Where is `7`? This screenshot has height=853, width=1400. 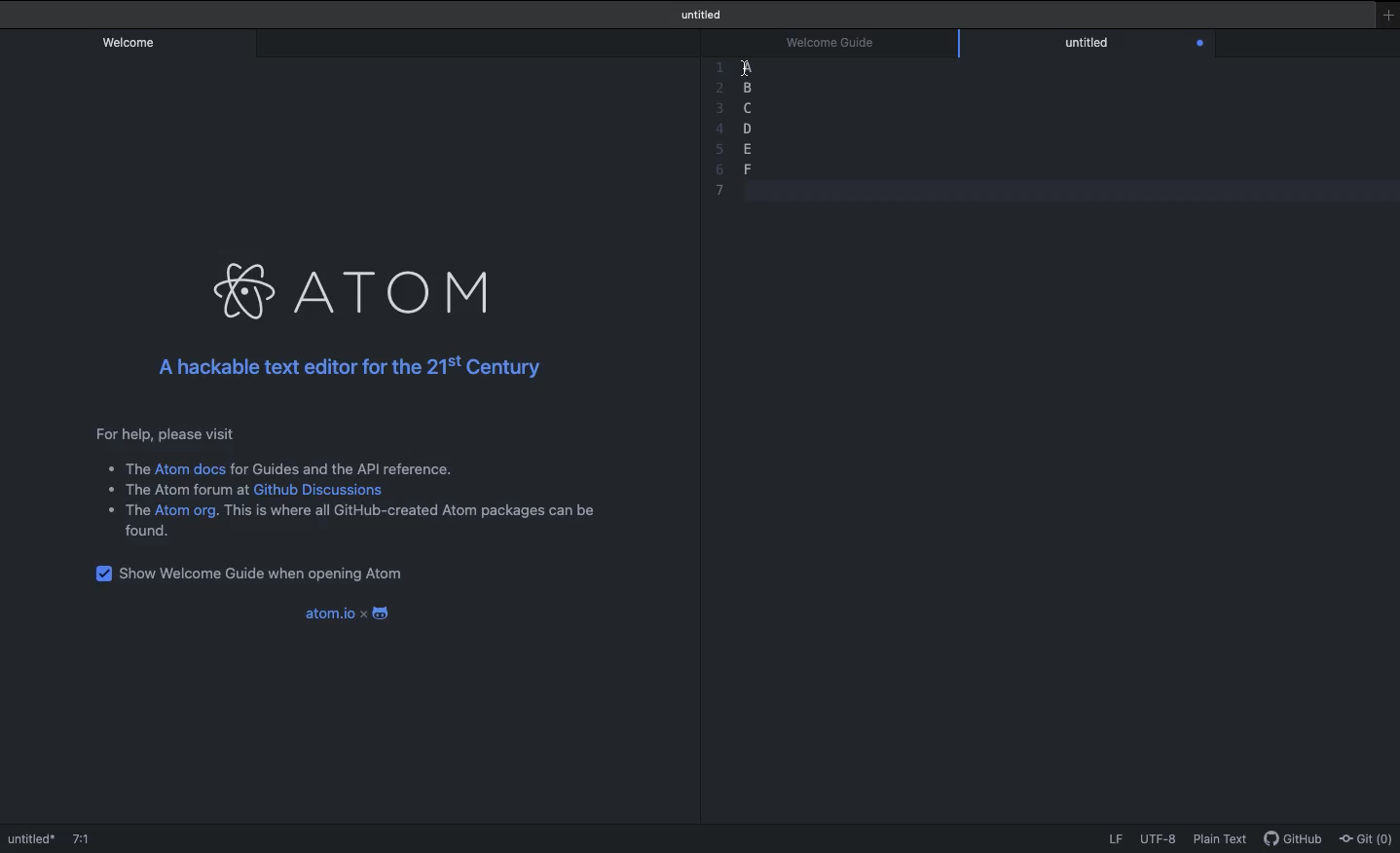
7 is located at coordinates (718, 191).